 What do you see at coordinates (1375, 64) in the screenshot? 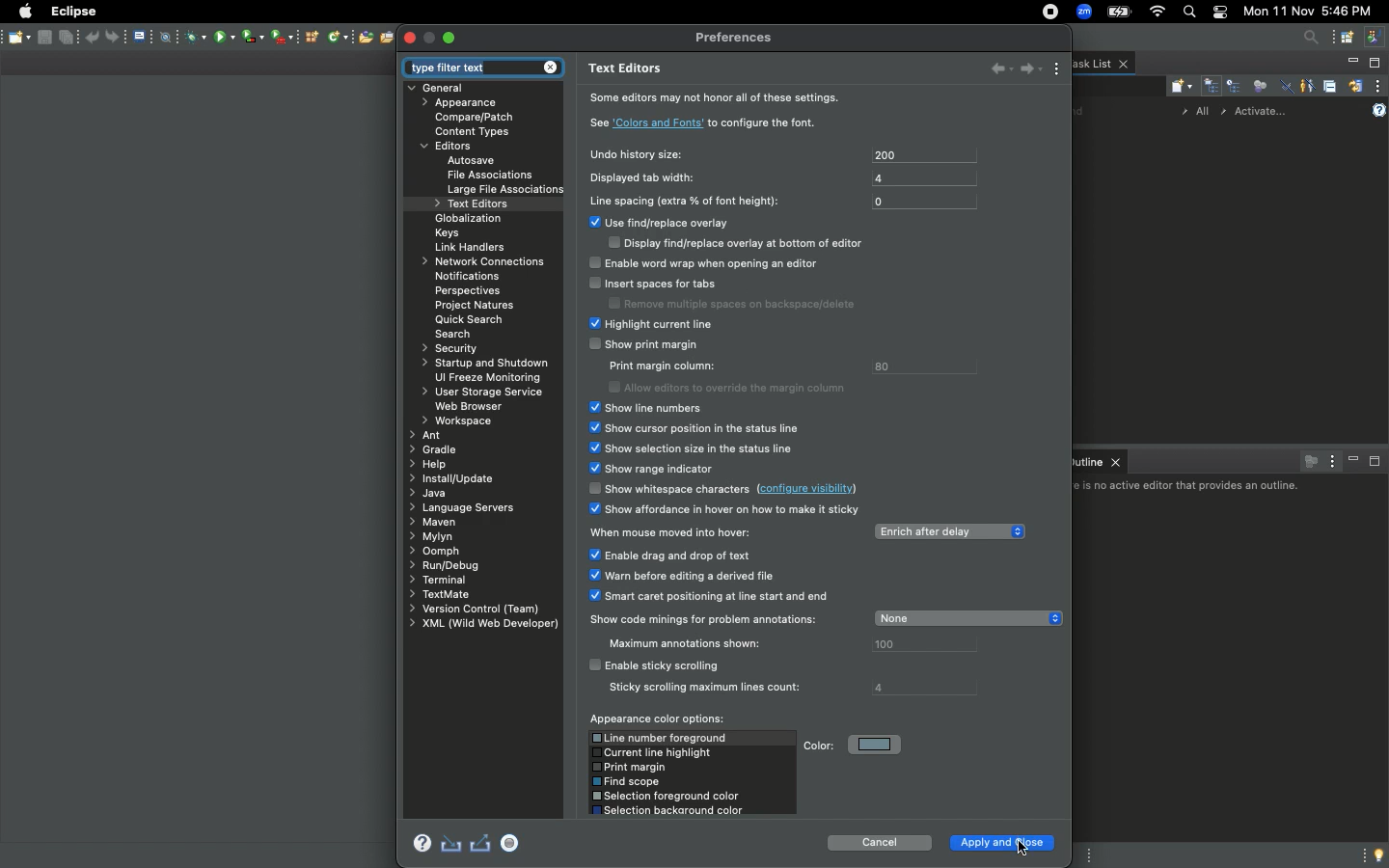
I see `Maximize ` at bounding box center [1375, 64].